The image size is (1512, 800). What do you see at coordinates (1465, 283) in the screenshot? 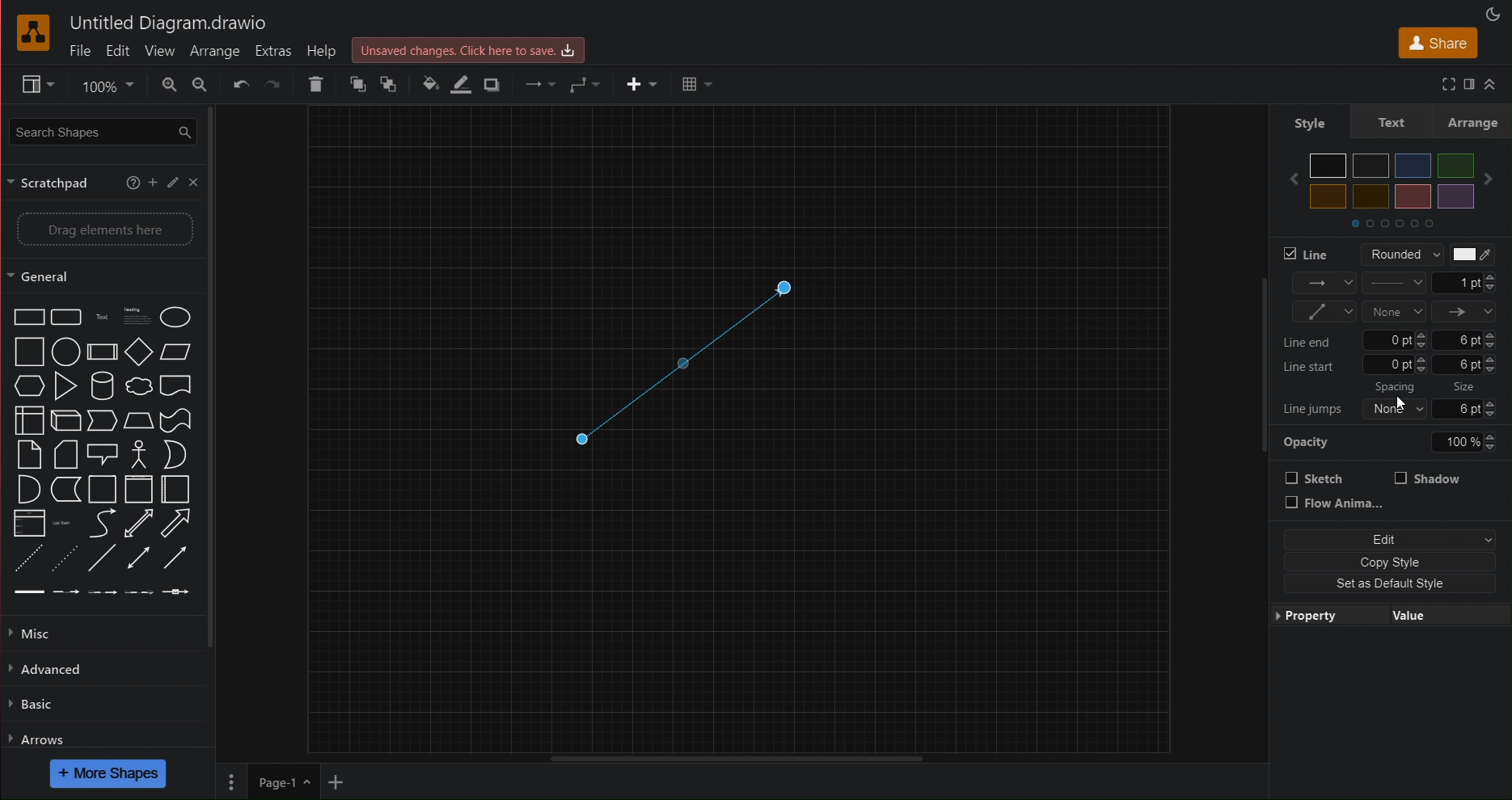
I see `Line width` at bounding box center [1465, 283].